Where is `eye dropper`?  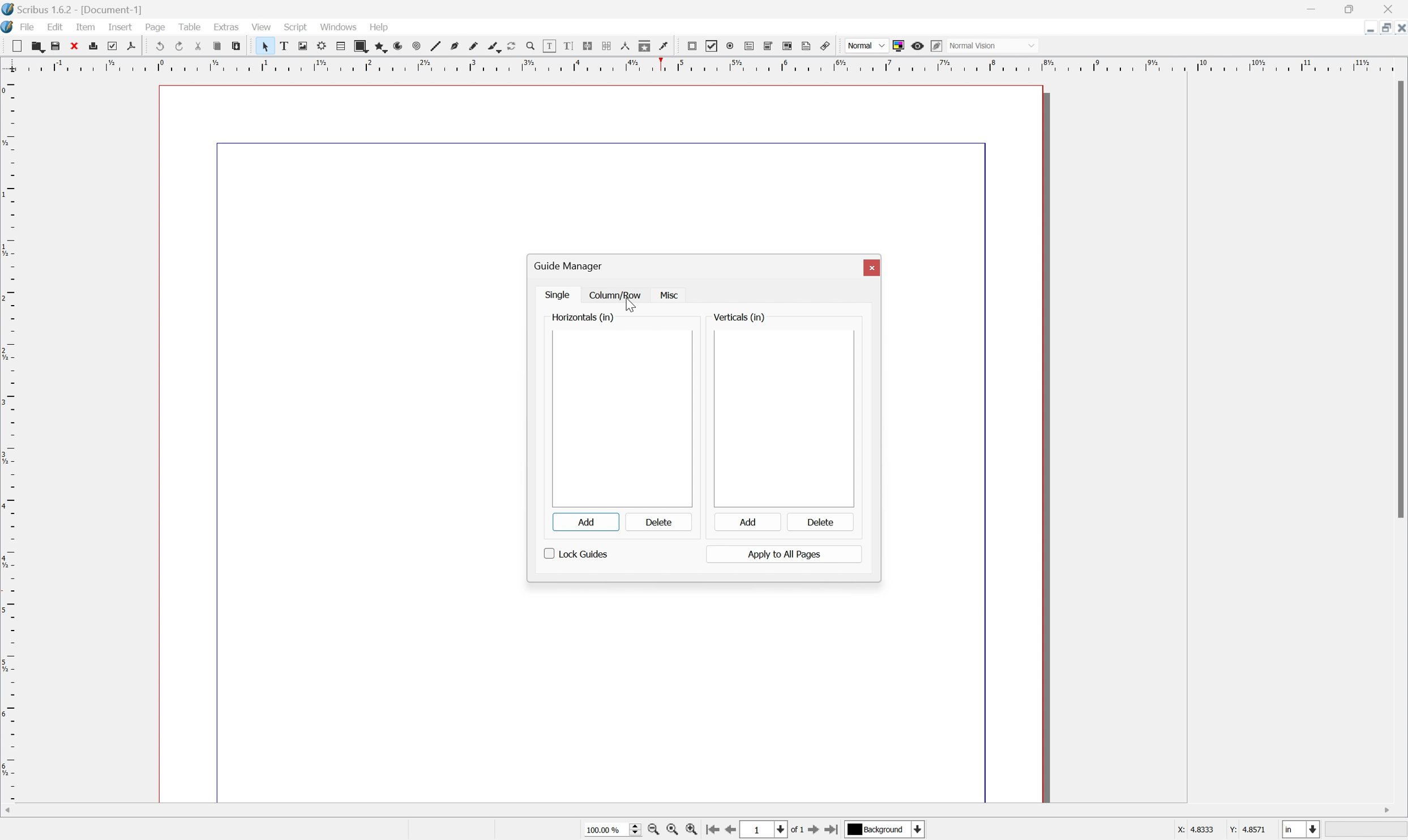 eye dropper is located at coordinates (665, 47).